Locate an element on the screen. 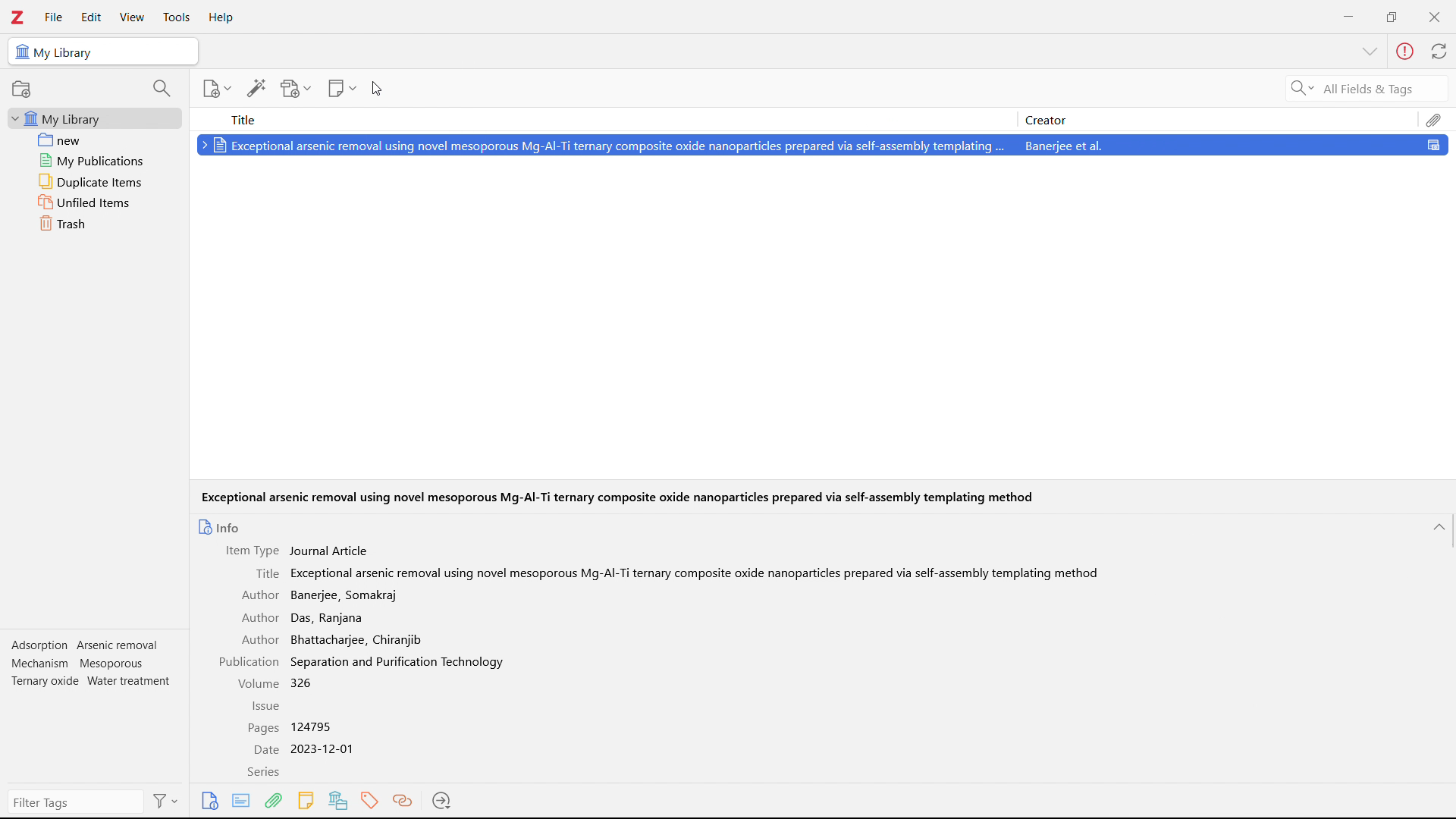 This screenshot has height=819, width=1456. tools is located at coordinates (177, 17).